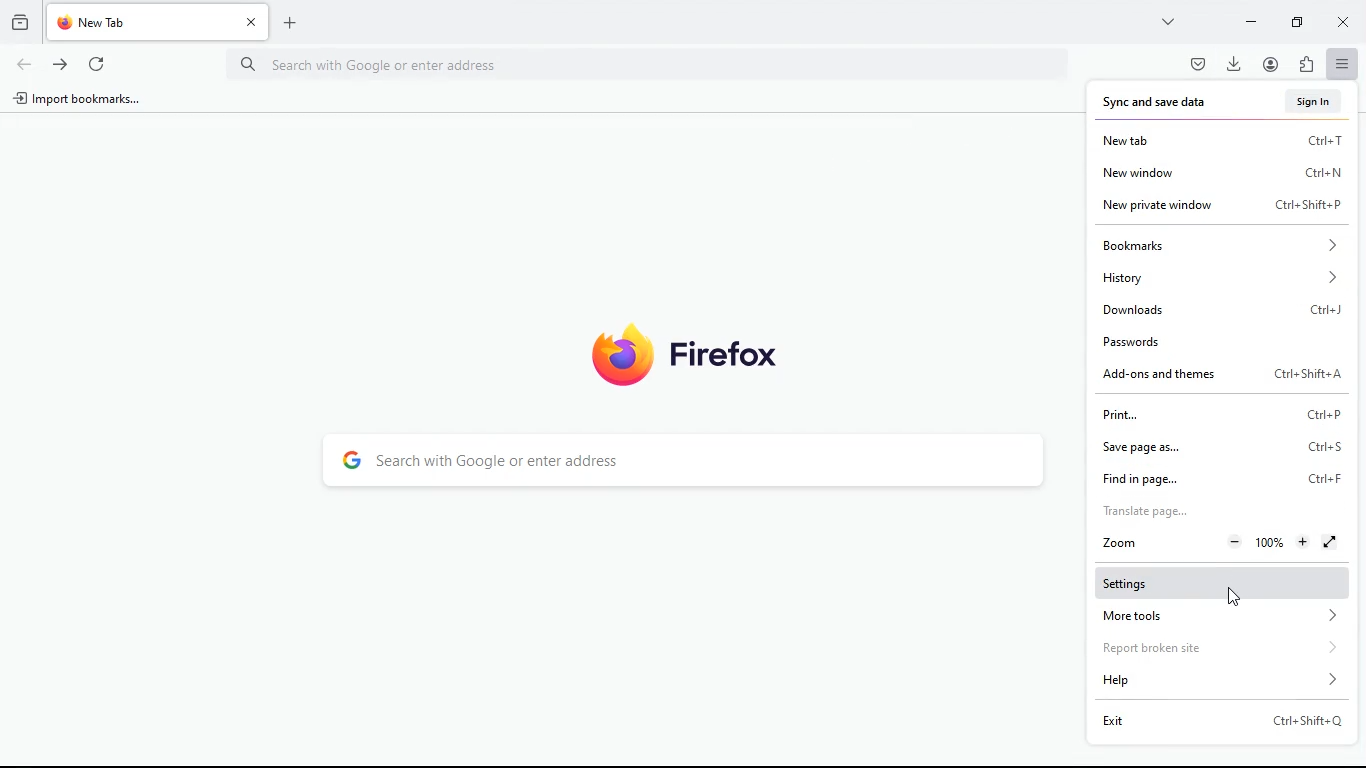  I want to click on new window, so click(1219, 173).